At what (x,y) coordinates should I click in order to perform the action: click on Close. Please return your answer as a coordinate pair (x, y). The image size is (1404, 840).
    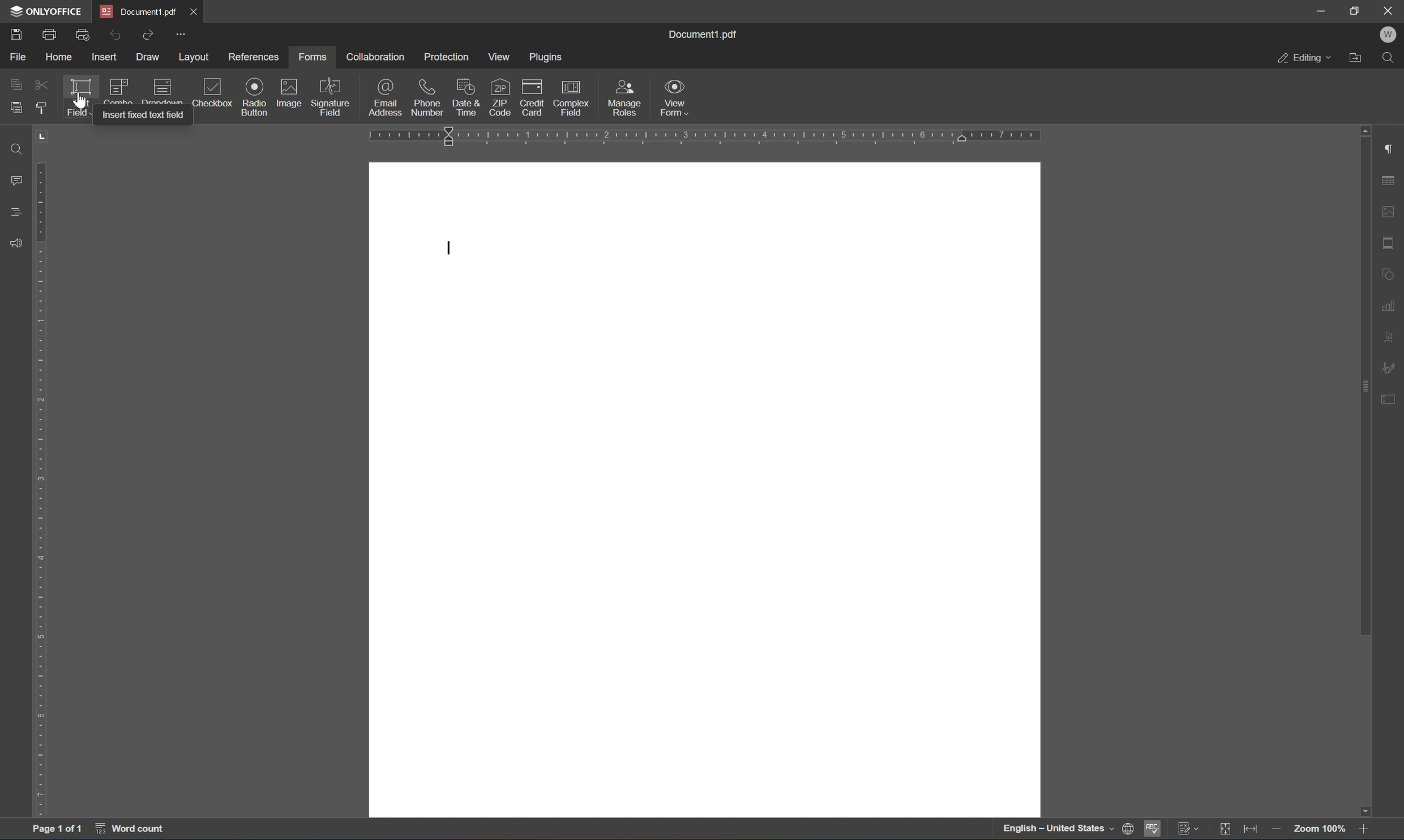
    Looking at the image, I should click on (194, 11).